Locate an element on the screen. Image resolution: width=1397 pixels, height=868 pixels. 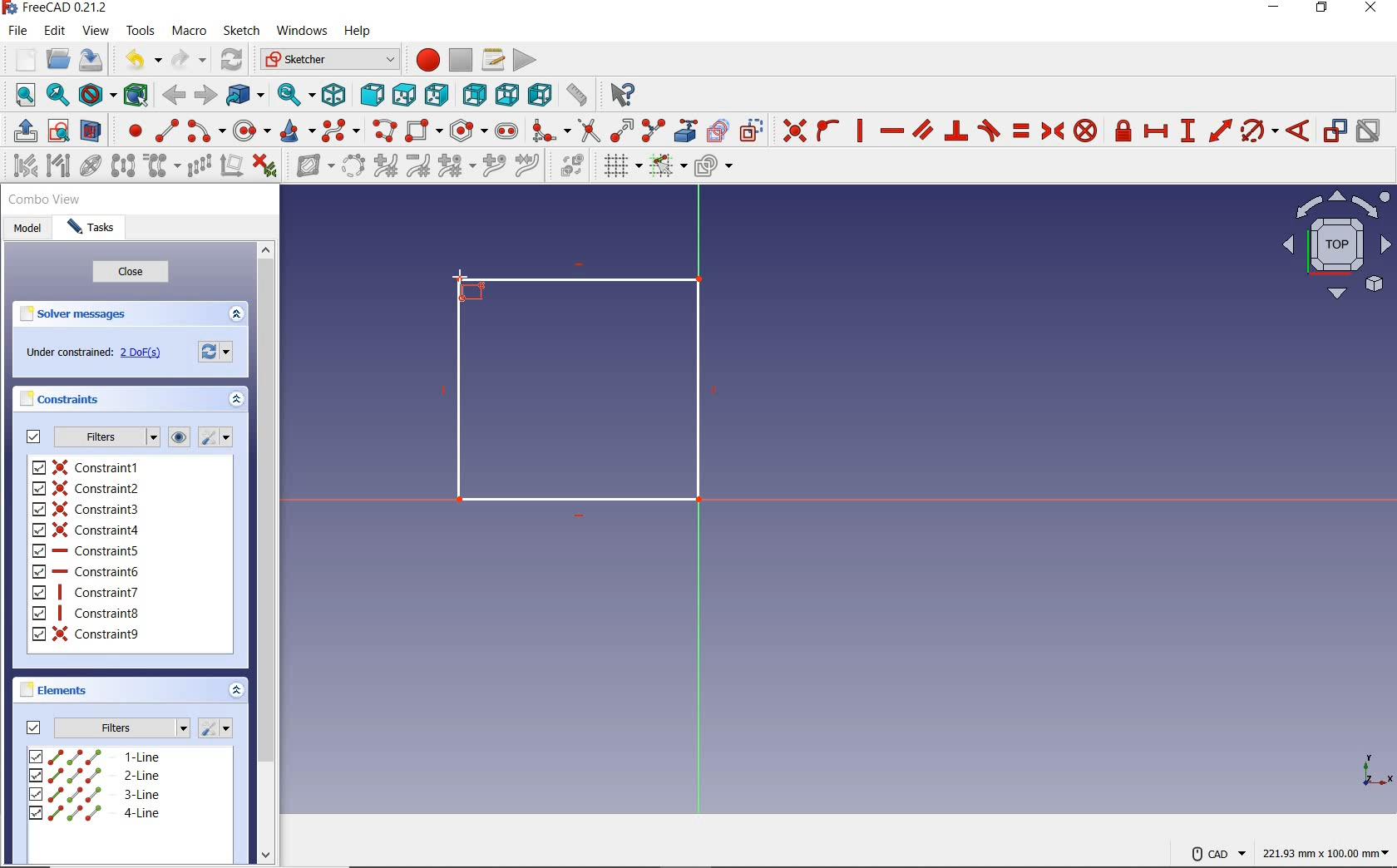
clone is located at coordinates (163, 167).